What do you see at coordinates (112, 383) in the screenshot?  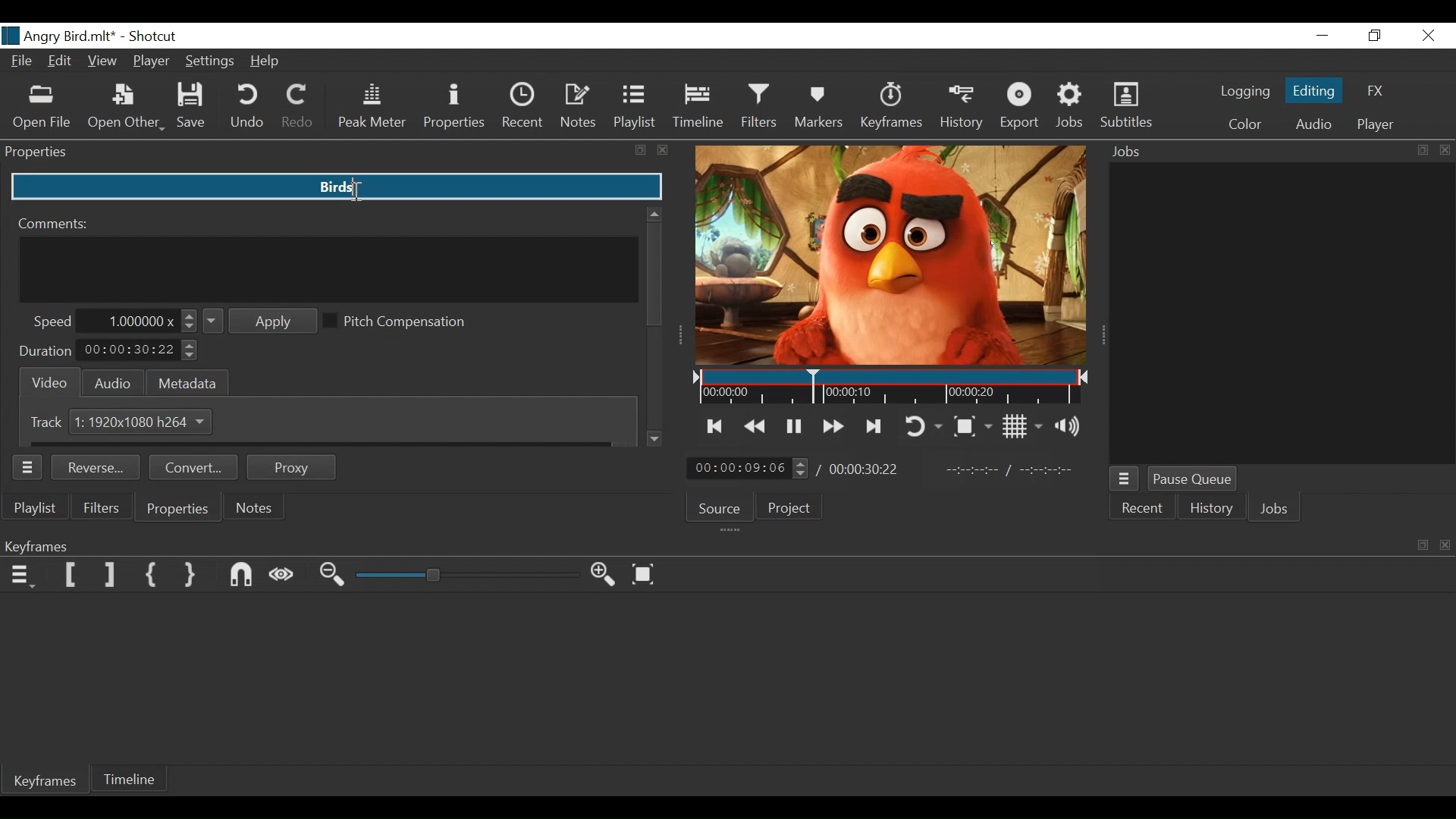 I see `Audio` at bounding box center [112, 383].